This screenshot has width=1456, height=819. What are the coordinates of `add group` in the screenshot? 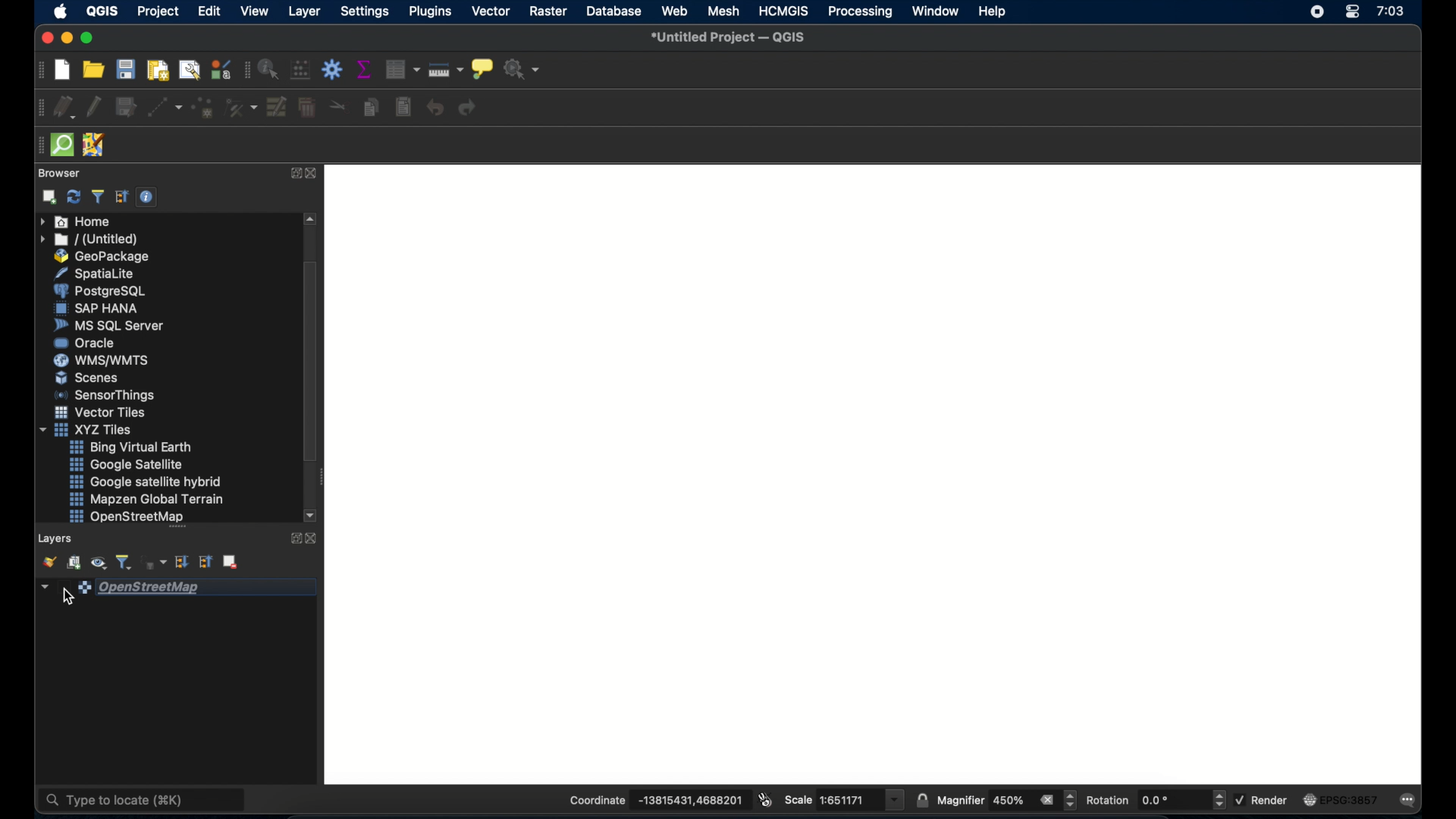 It's located at (73, 562).